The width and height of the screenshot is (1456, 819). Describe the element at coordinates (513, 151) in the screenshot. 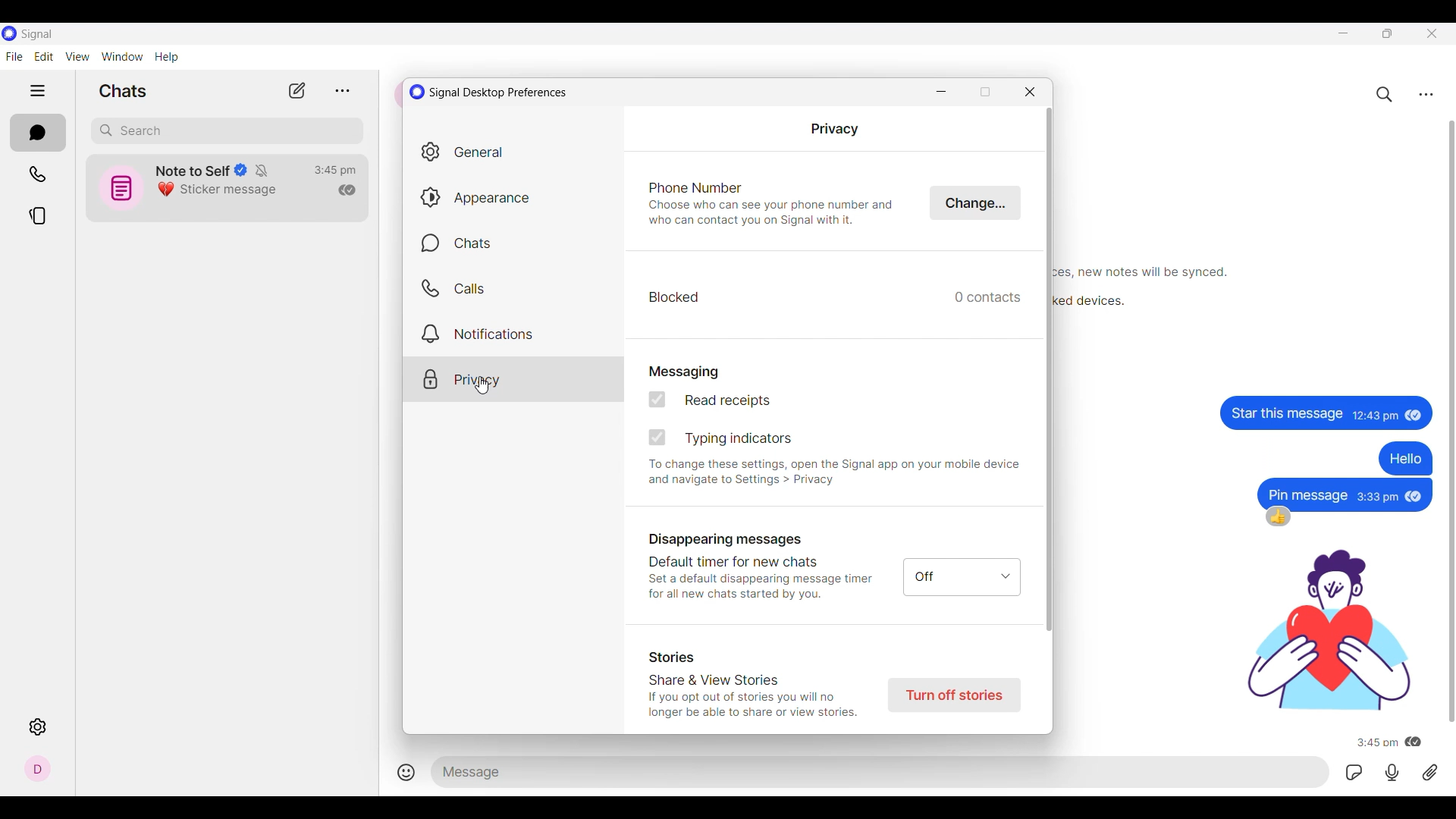

I see `General settings, current selection highlighted` at that location.